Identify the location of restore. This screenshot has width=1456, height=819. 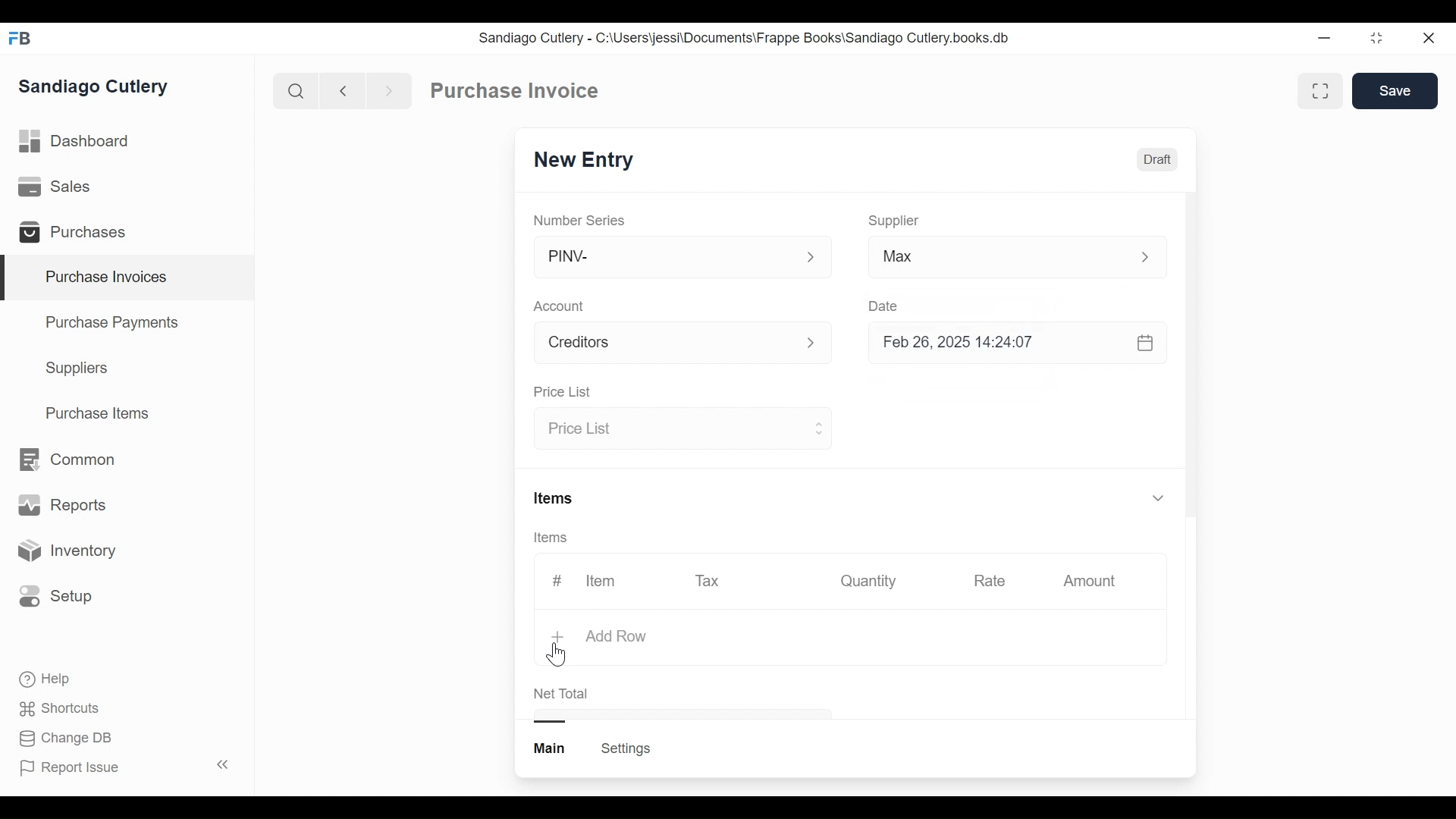
(1375, 39).